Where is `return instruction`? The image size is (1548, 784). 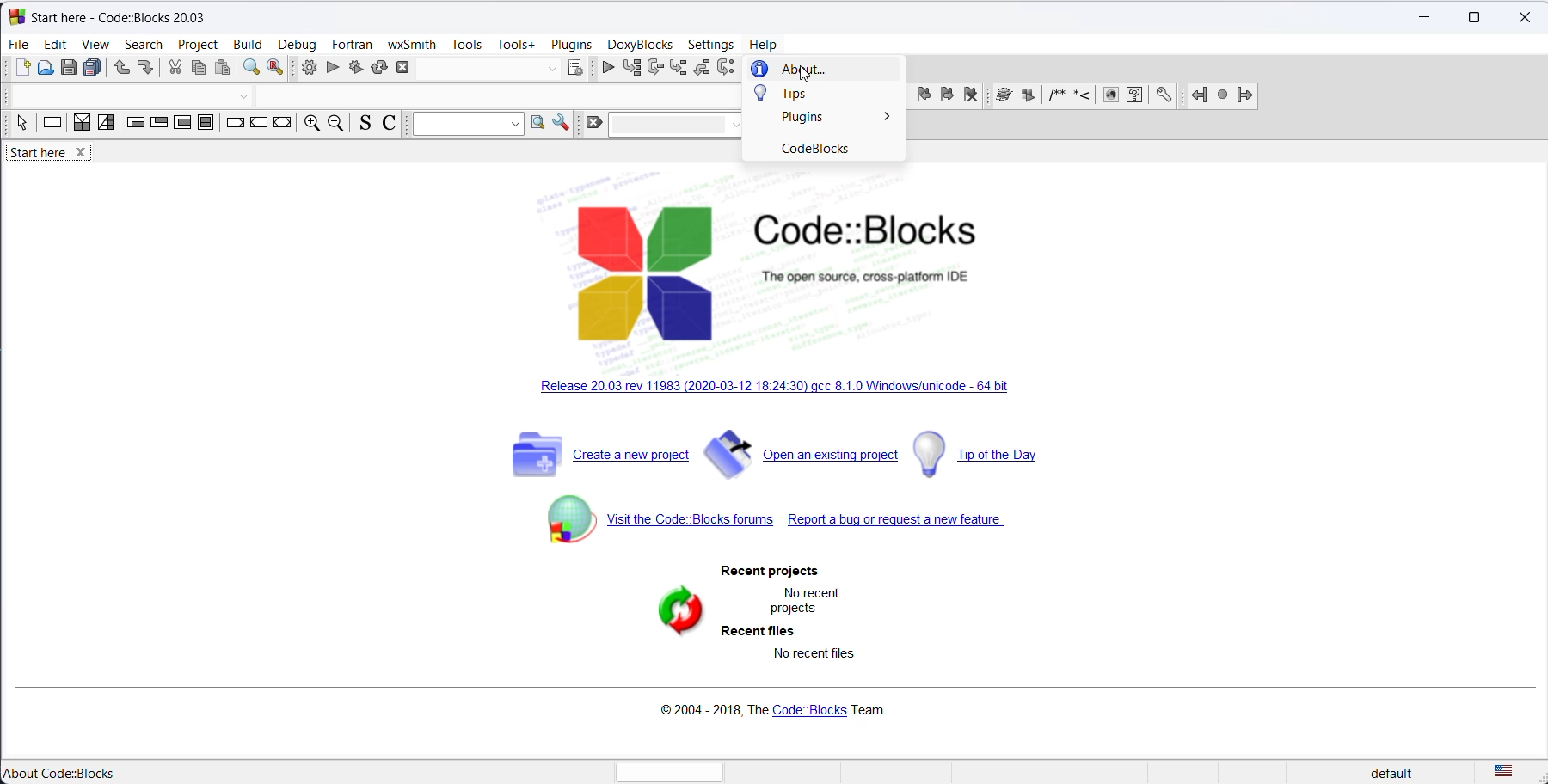
return instruction is located at coordinates (286, 126).